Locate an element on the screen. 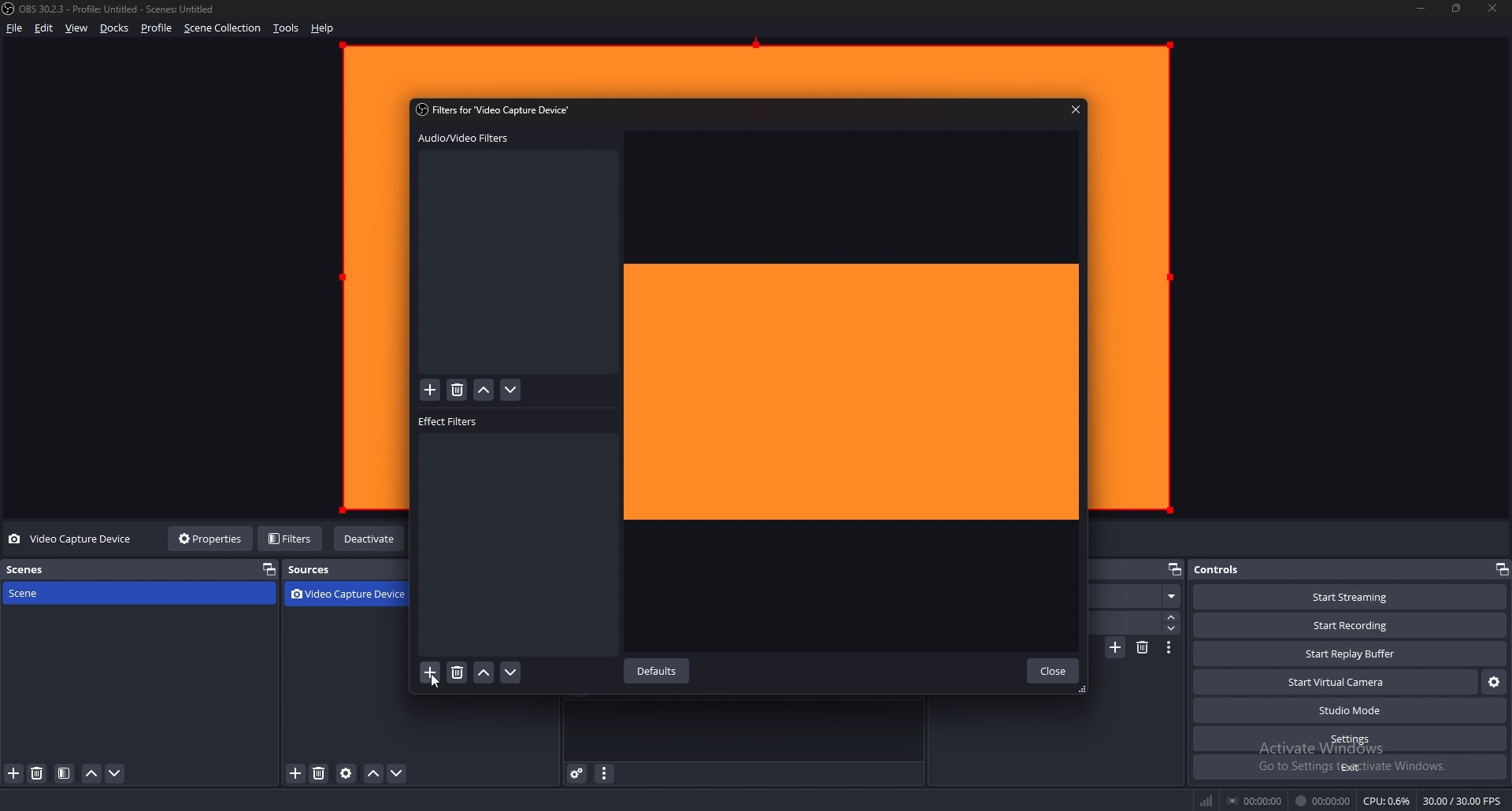  source properties is located at coordinates (346, 774).